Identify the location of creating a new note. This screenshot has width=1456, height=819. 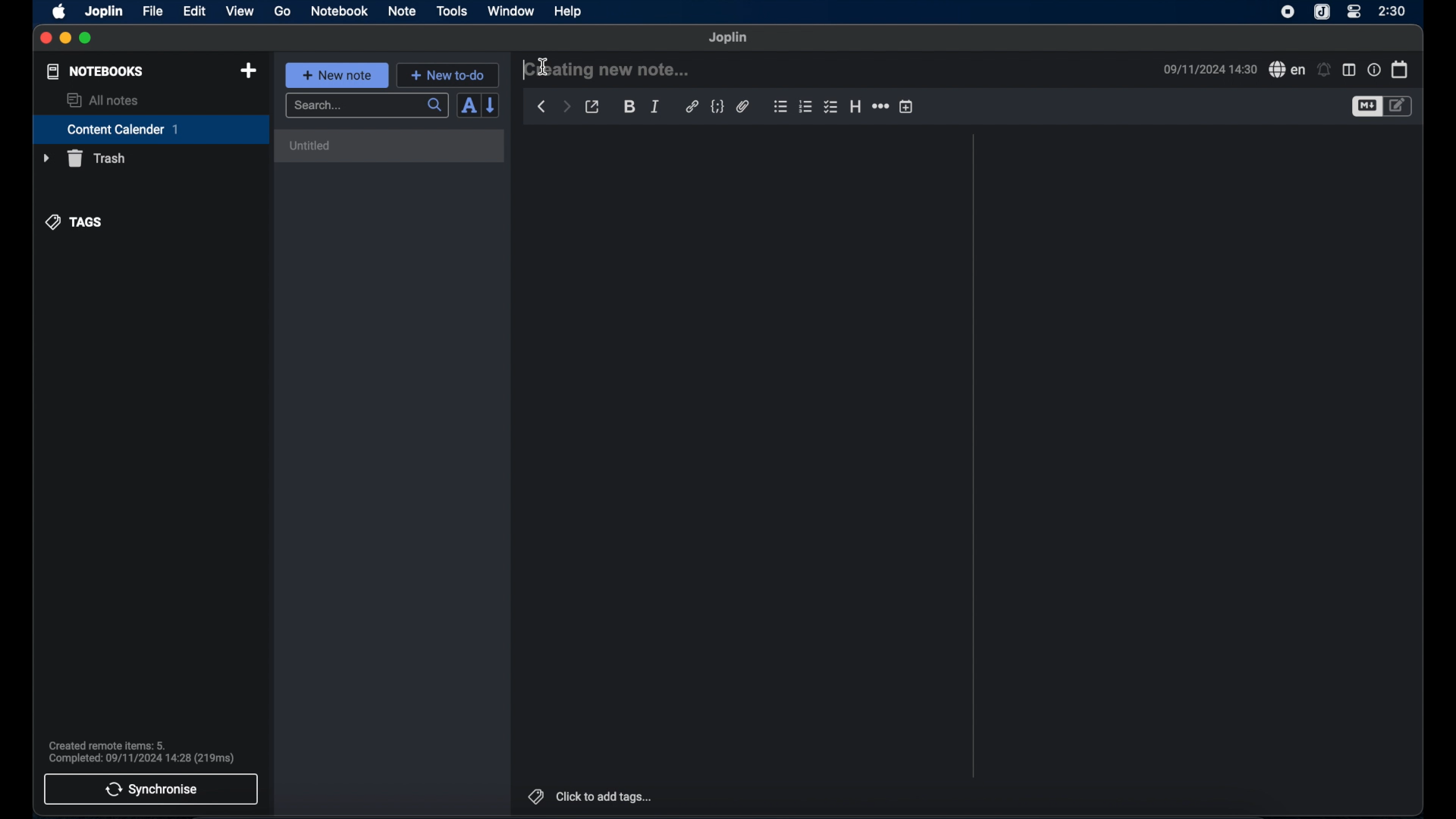
(607, 68).